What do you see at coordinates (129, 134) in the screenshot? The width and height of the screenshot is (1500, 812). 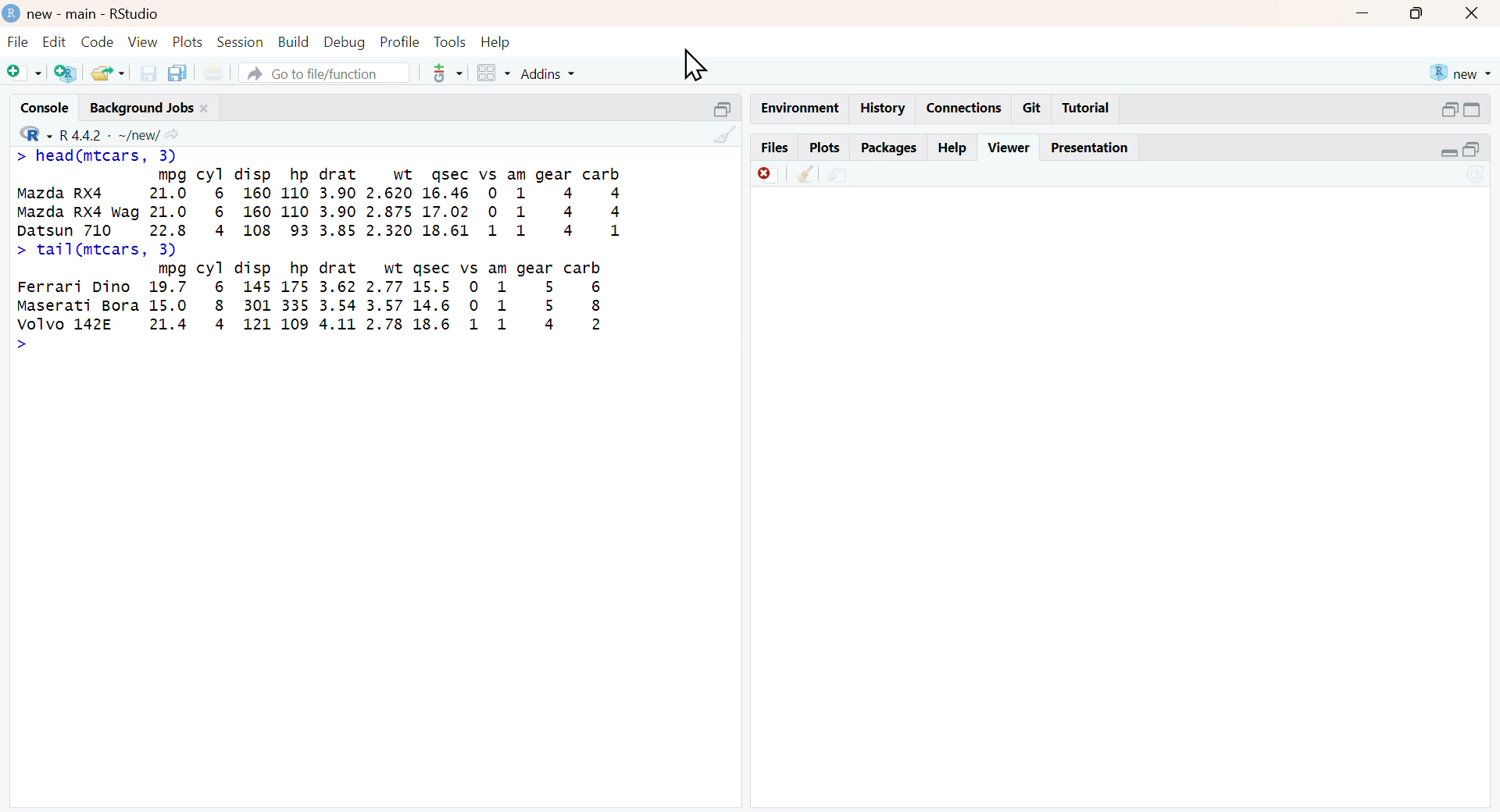 I see `v R442 - ~/new/` at bounding box center [129, 134].